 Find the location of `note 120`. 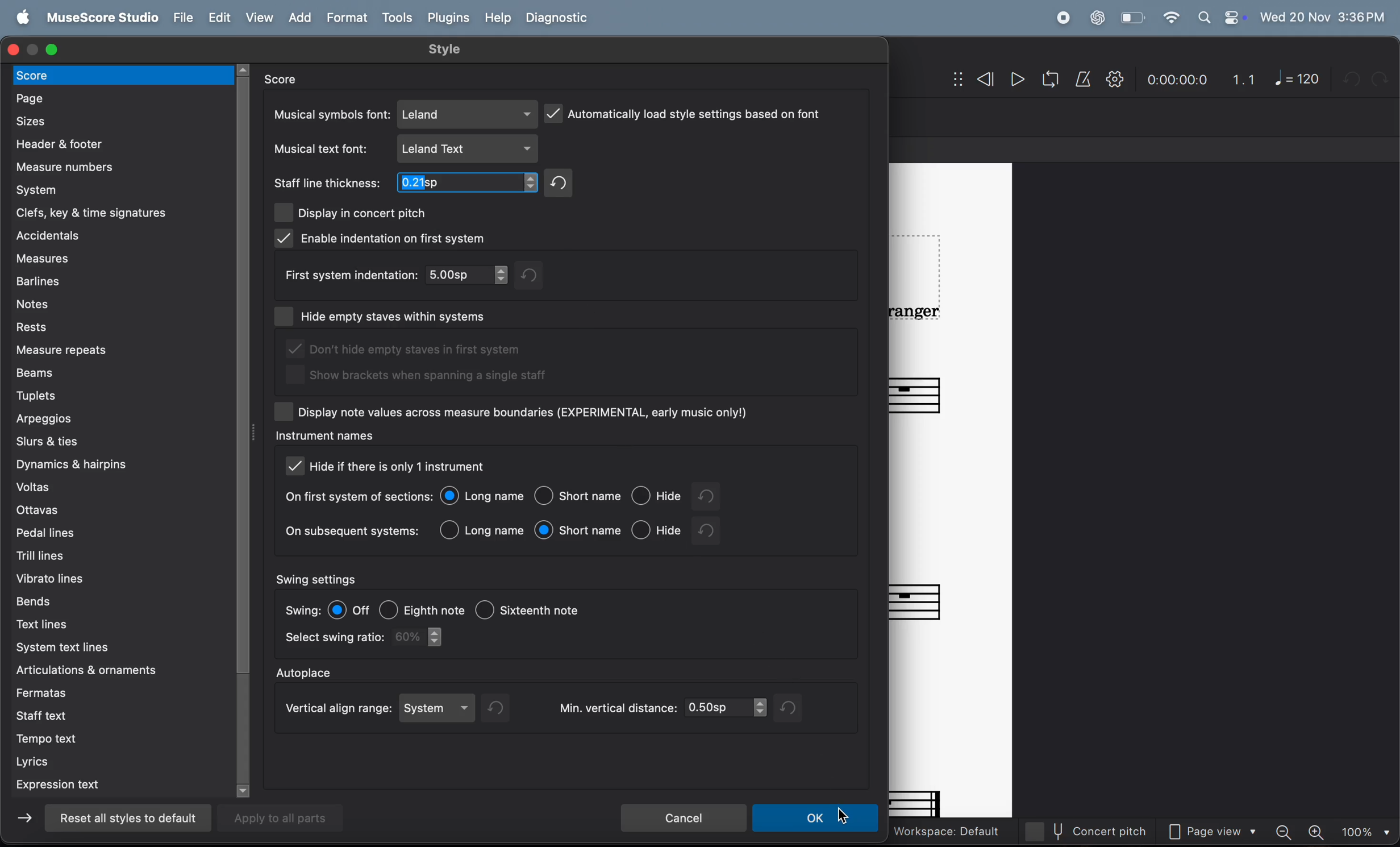

note 120 is located at coordinates (1298, 78).